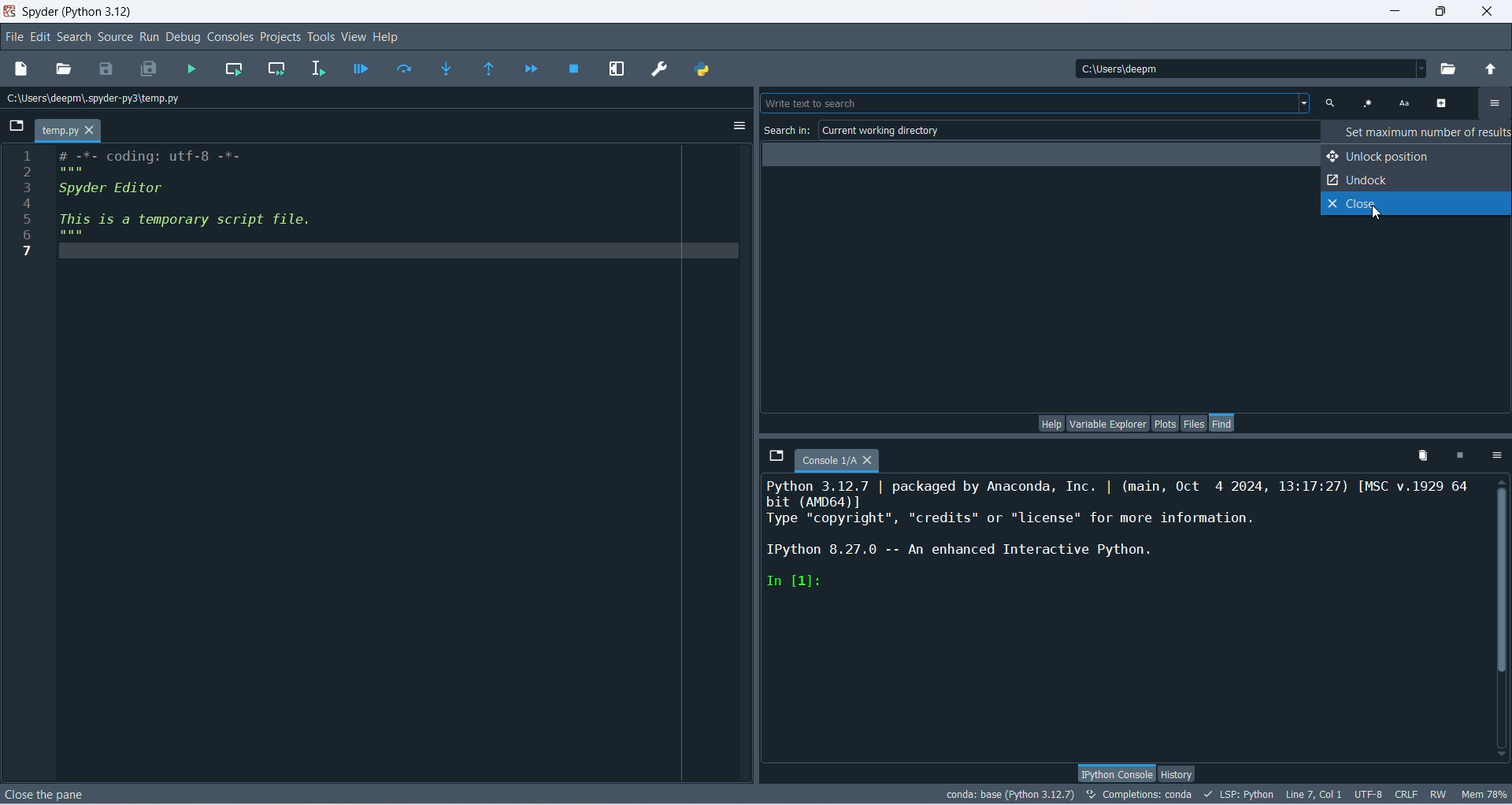  Describe the element at coordinates (234, 69) in the screenshot. I see `run current cell` at that location.